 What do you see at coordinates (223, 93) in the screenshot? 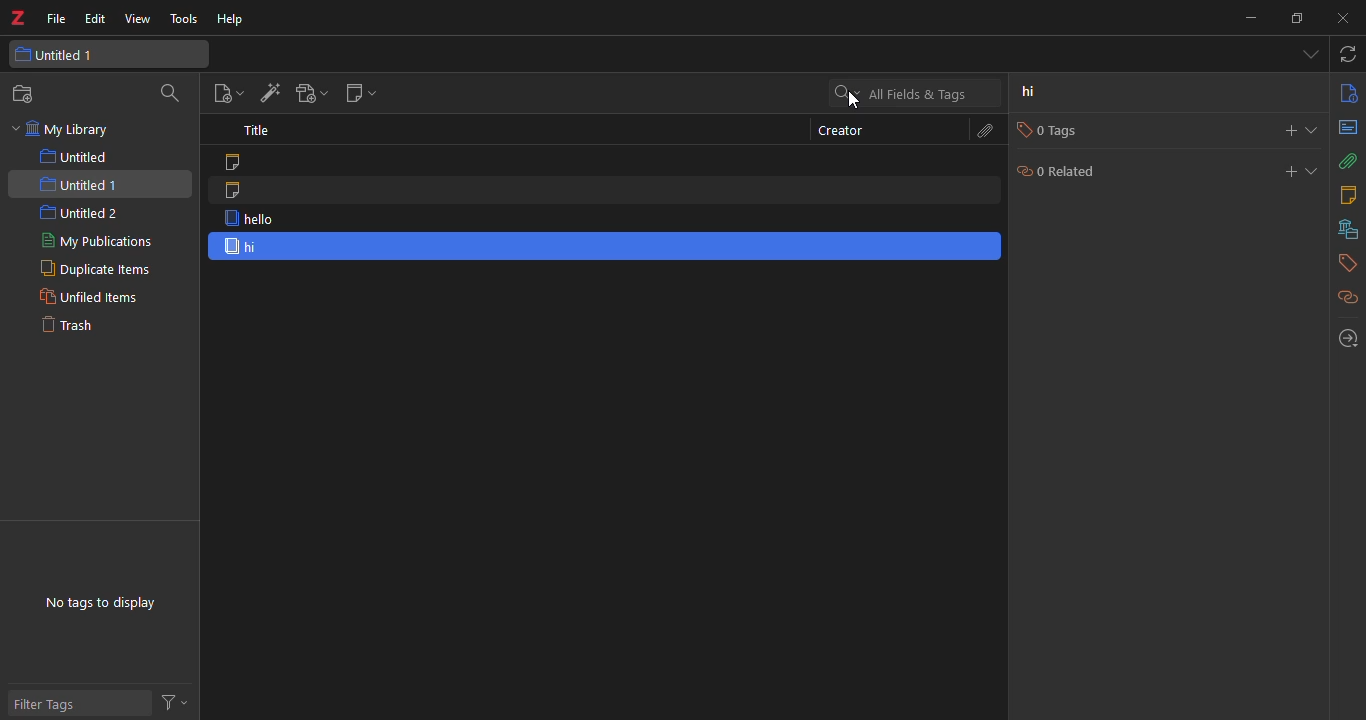
I see `new item` at bounding box center [223, 93].